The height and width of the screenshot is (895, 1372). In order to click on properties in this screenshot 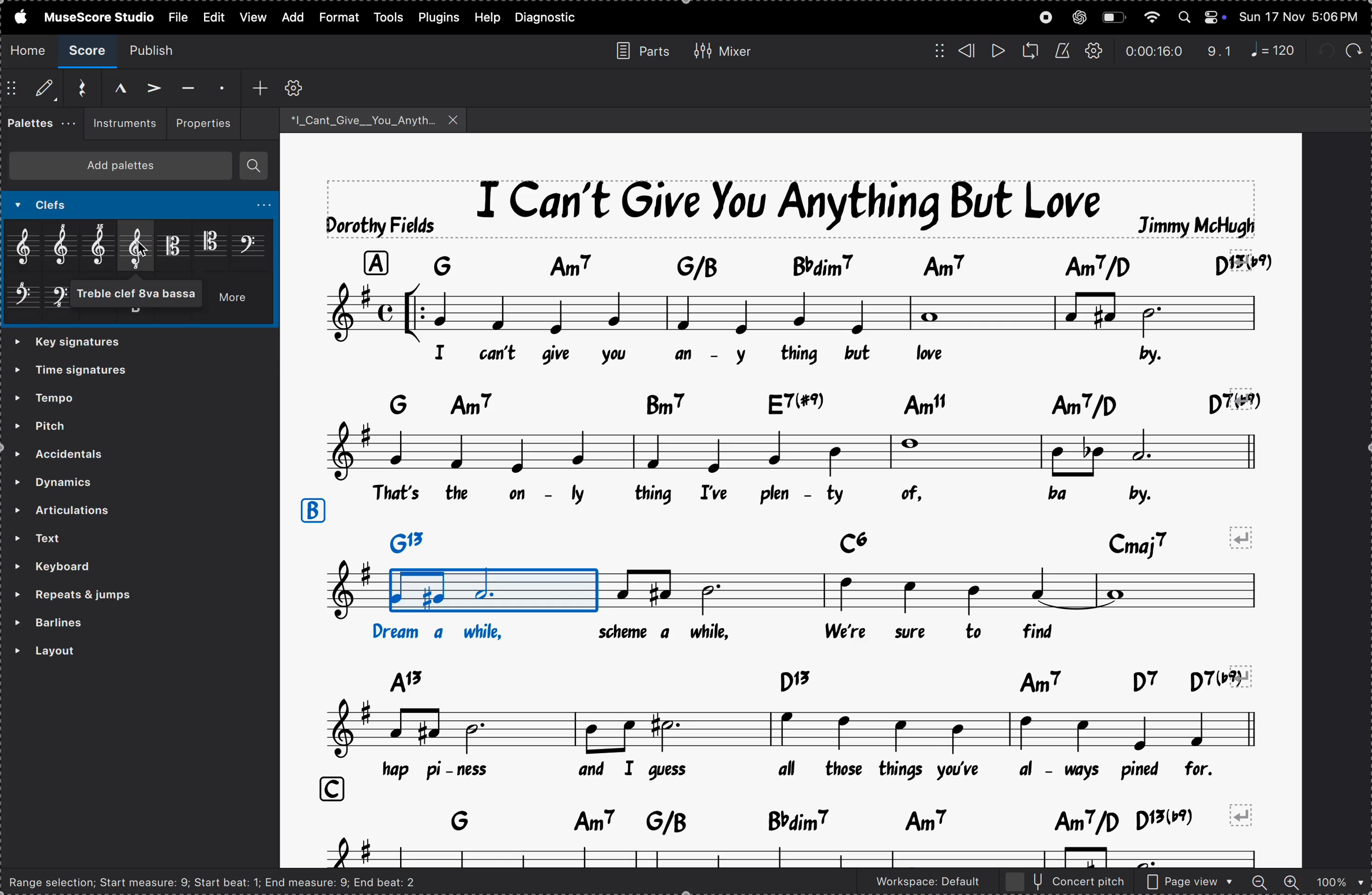, I will do `click(202, 122)`.